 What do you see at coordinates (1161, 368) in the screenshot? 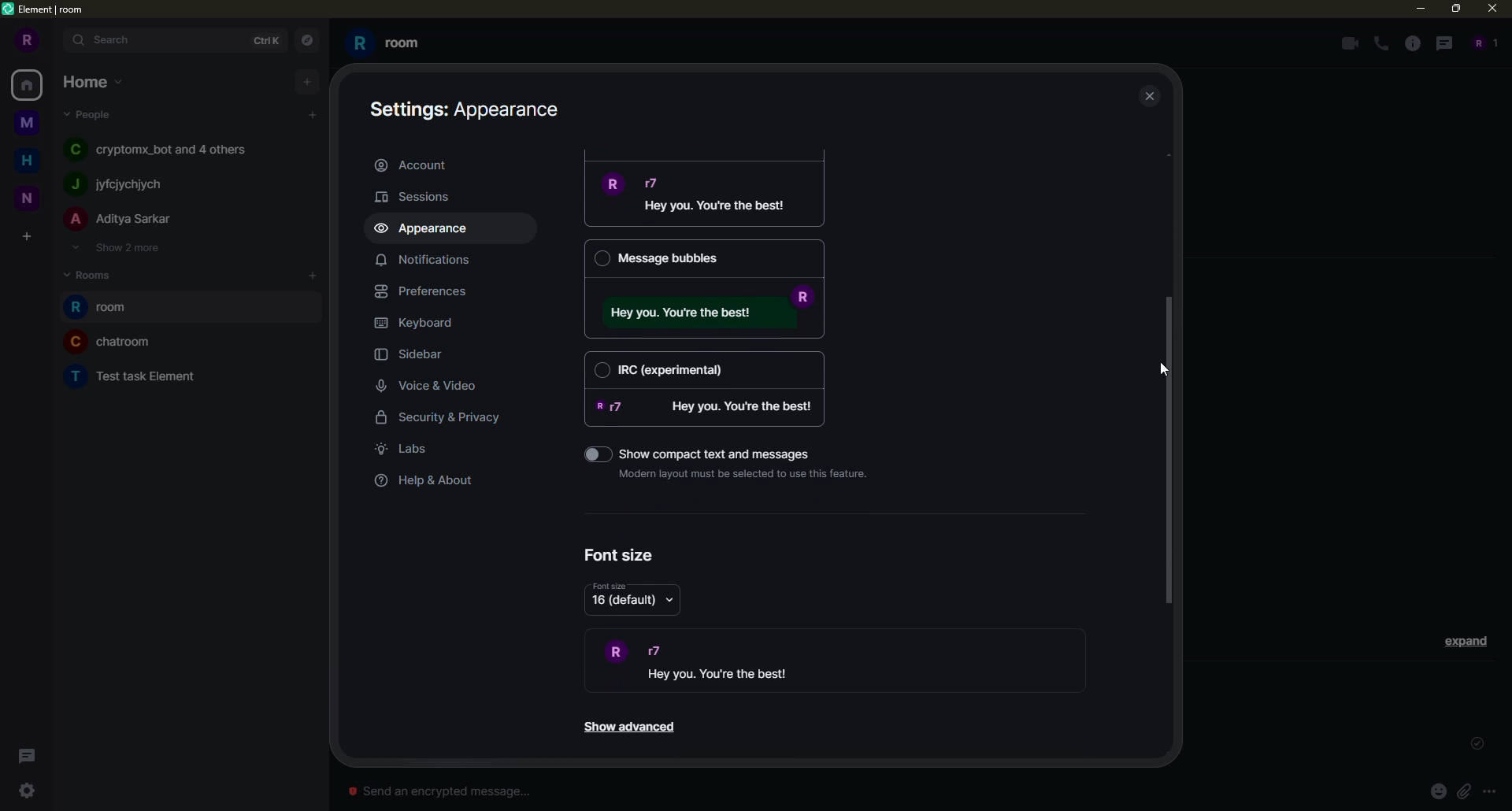
I see `cursor` at bounding box center [1161, 368].